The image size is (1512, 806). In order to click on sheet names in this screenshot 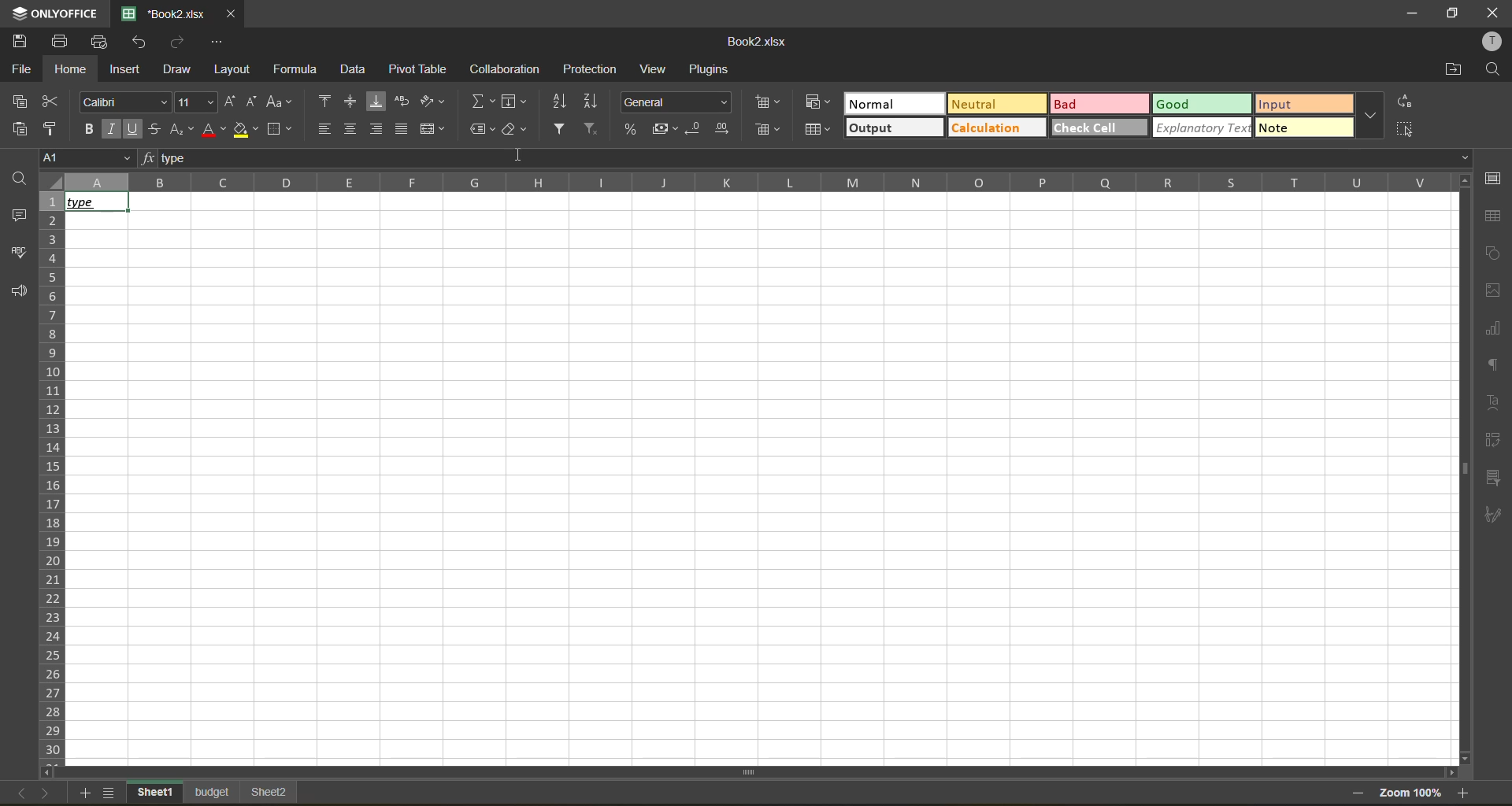, I will do `click(216, 792)`.